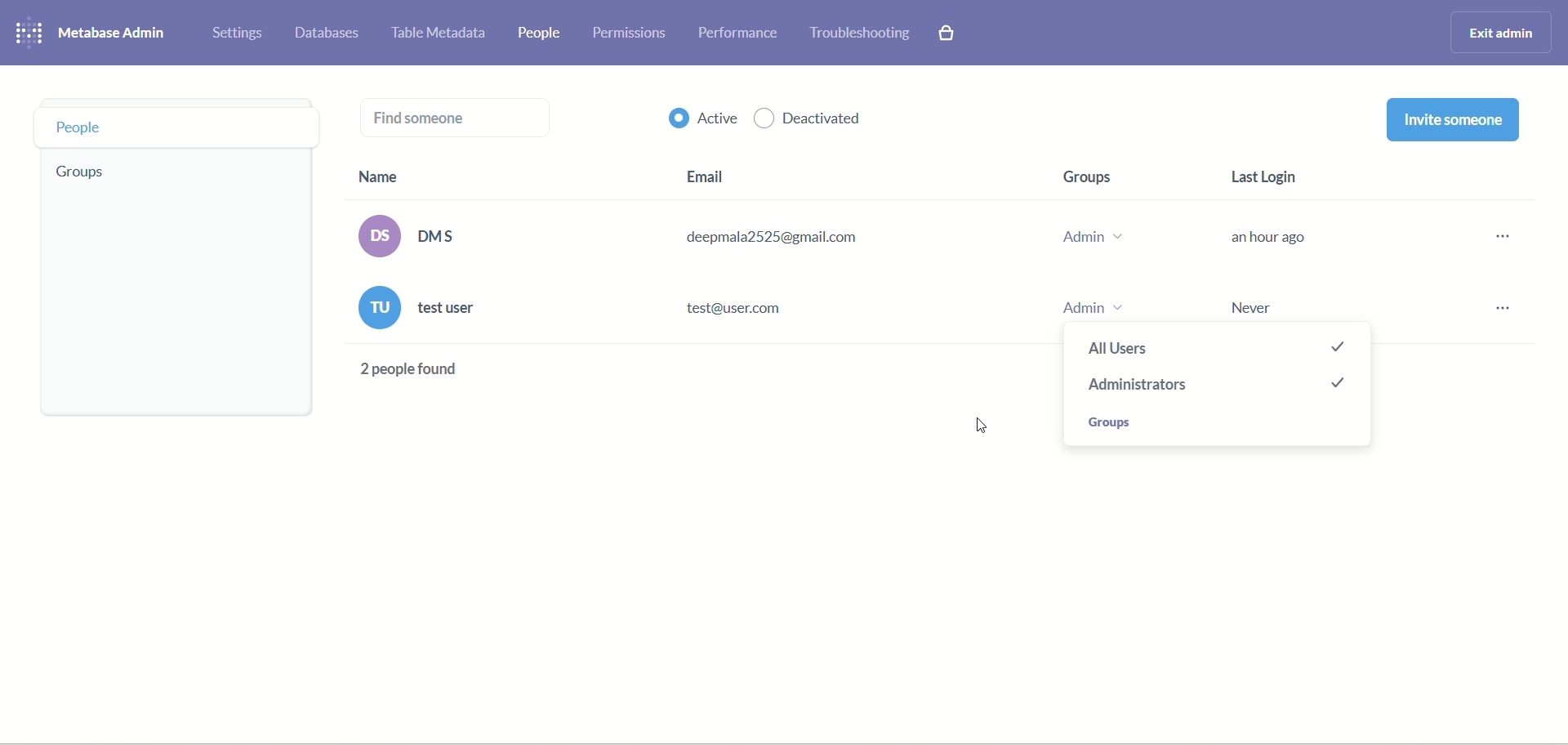 The width and height of the screenshot is (1568, 745). I want to click on email, so click(764, 254).